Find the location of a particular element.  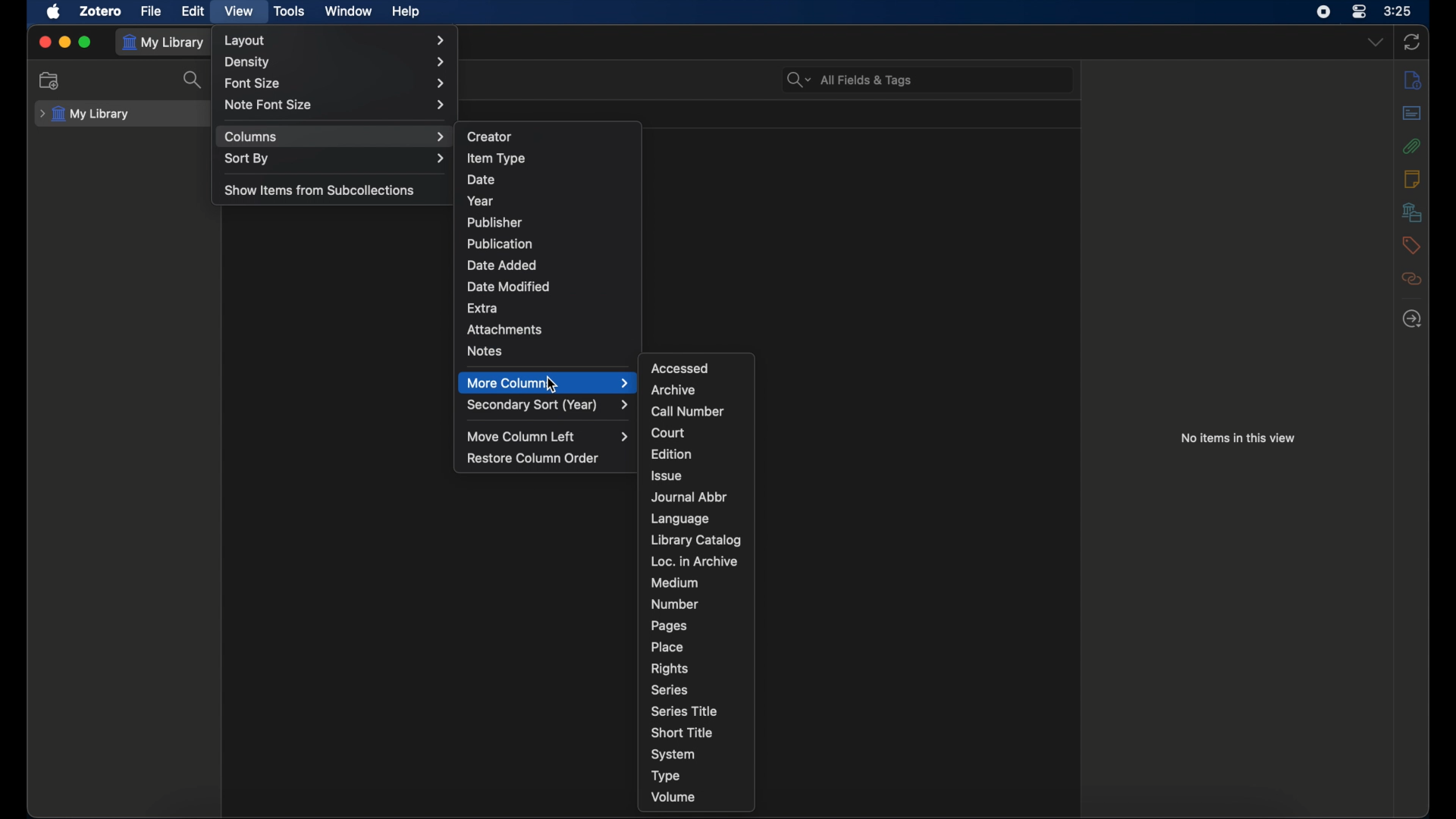

sync is located at coordinates (1411, 42).